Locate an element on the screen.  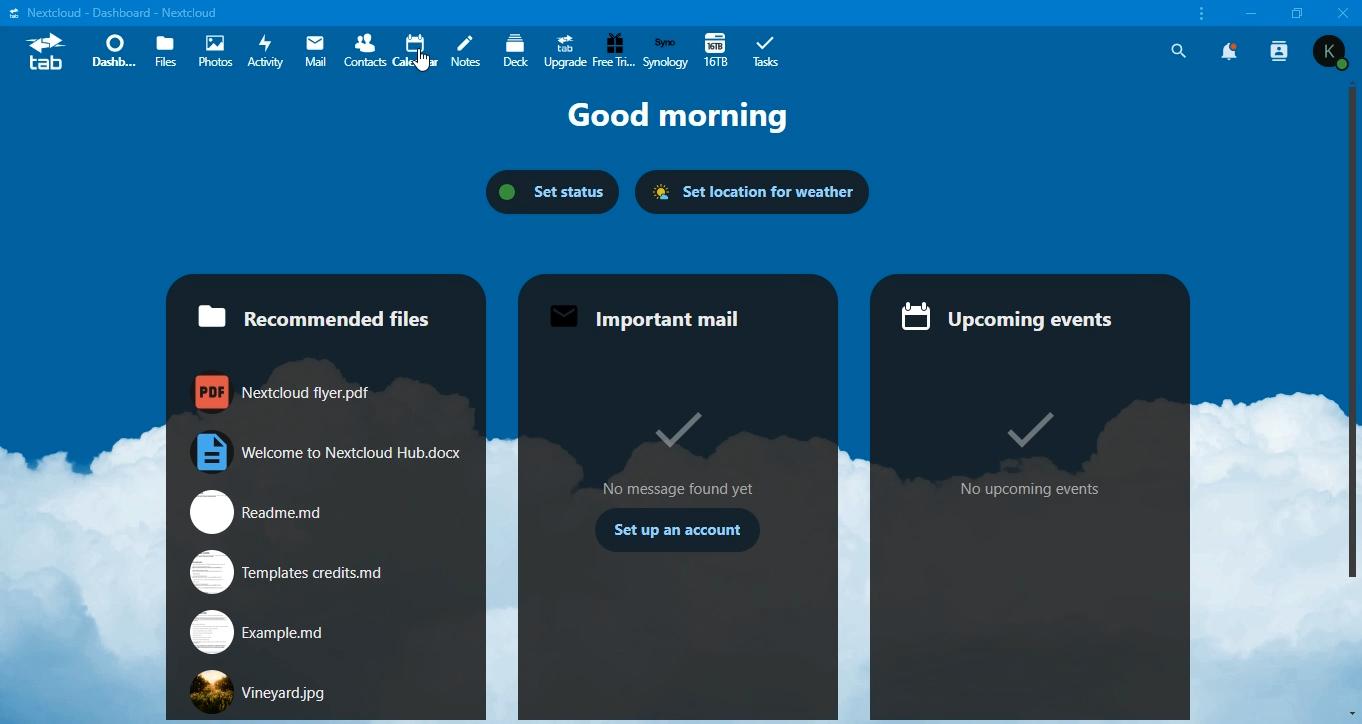
restore window is located at coordinates (1298, 12).